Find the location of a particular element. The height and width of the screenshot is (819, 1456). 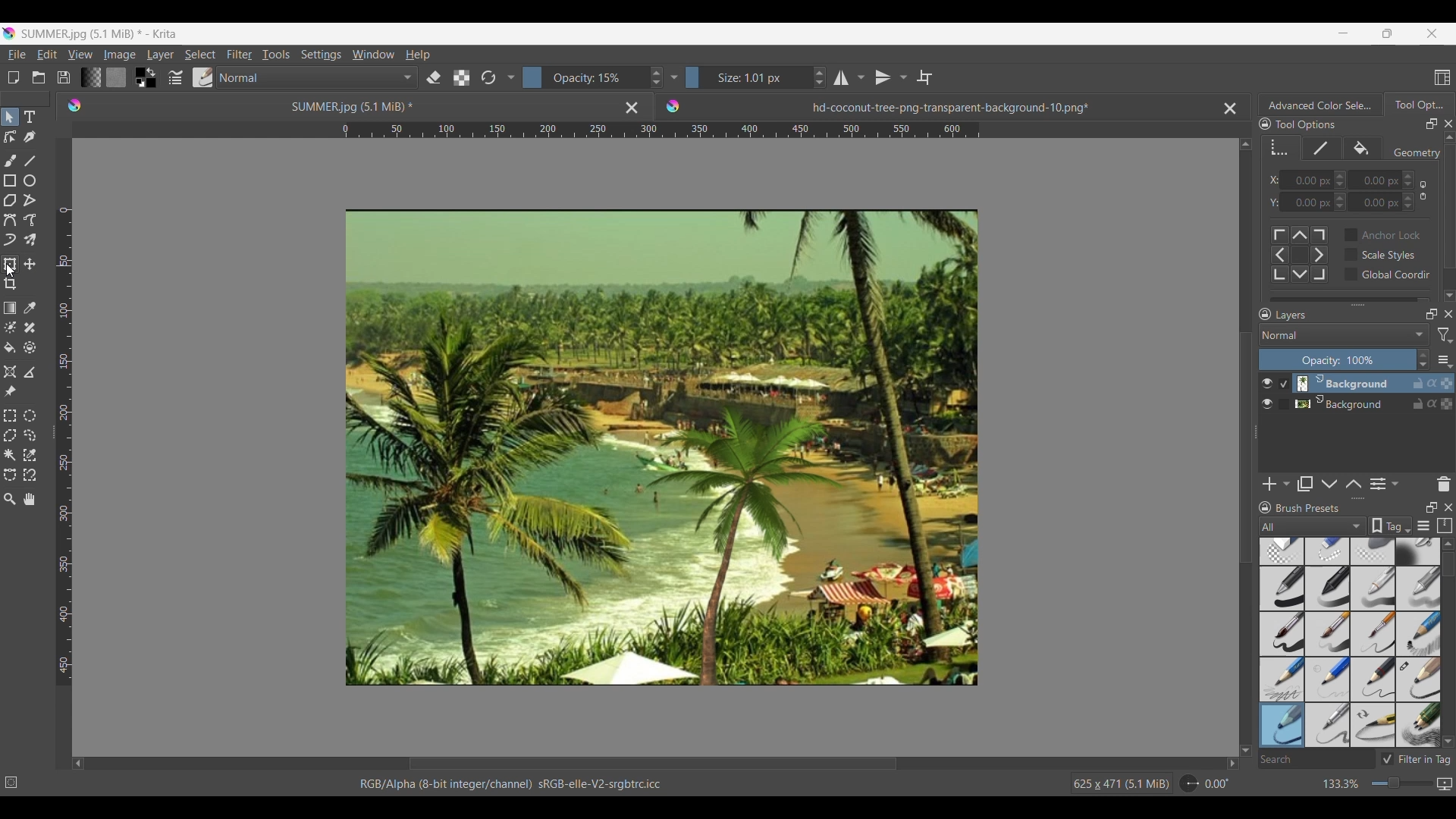

Move layer/mask up is located at coordinates (1354, 484).